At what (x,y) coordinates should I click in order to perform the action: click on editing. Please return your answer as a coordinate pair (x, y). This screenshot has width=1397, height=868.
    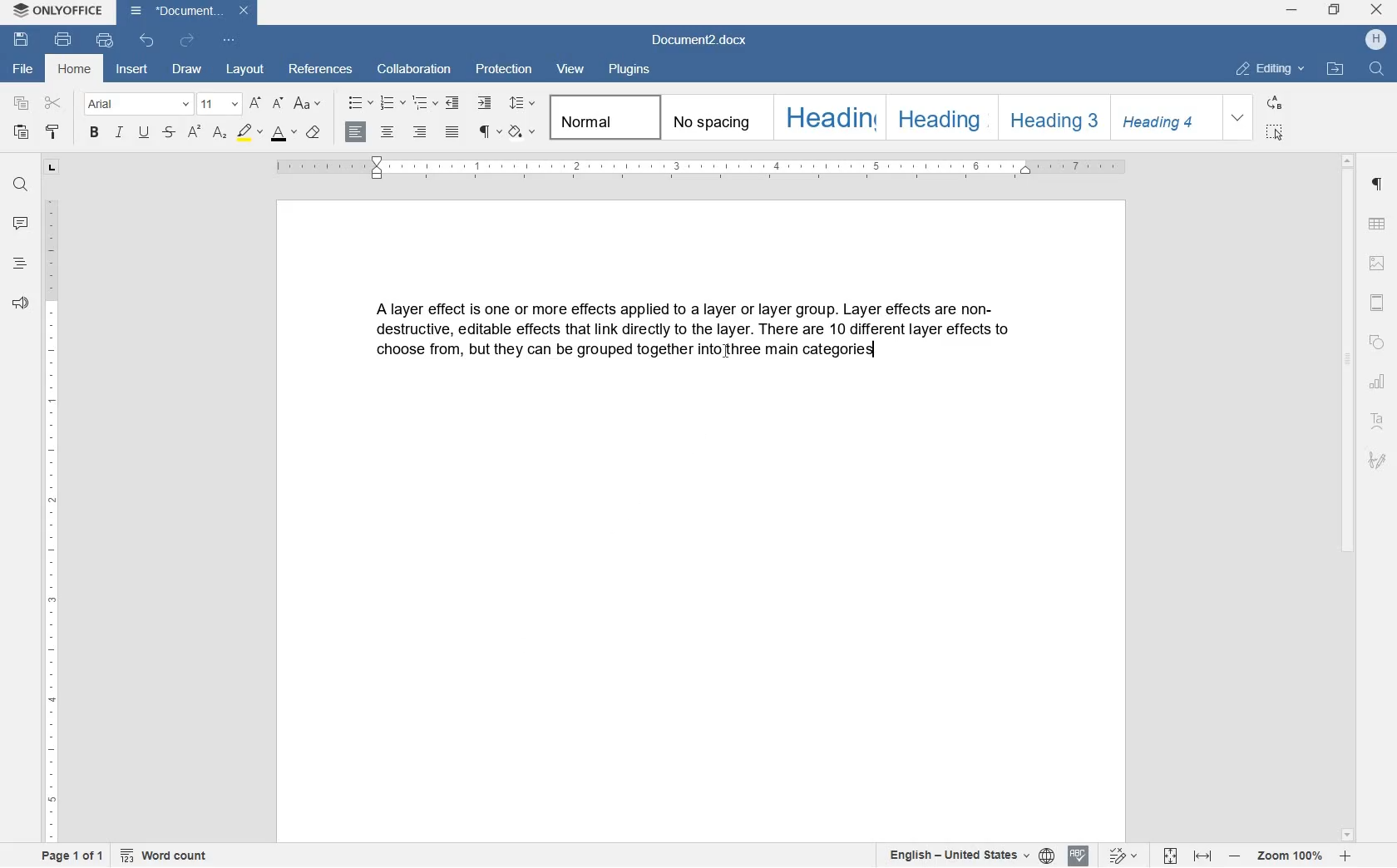
    Looking at the image, I should click on (1273, 70).